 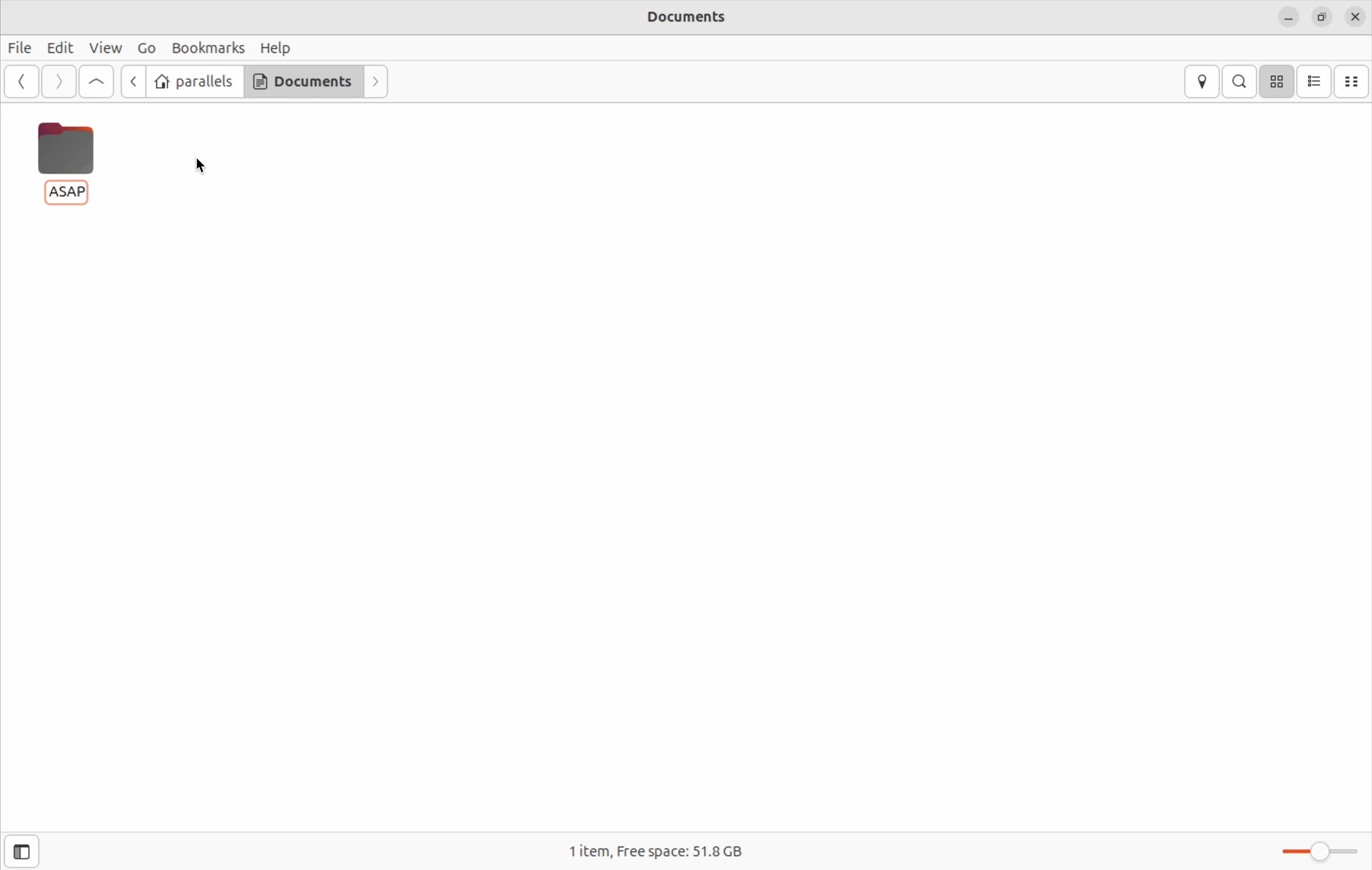 I want to click on resize, so click(x=1321, y=17).